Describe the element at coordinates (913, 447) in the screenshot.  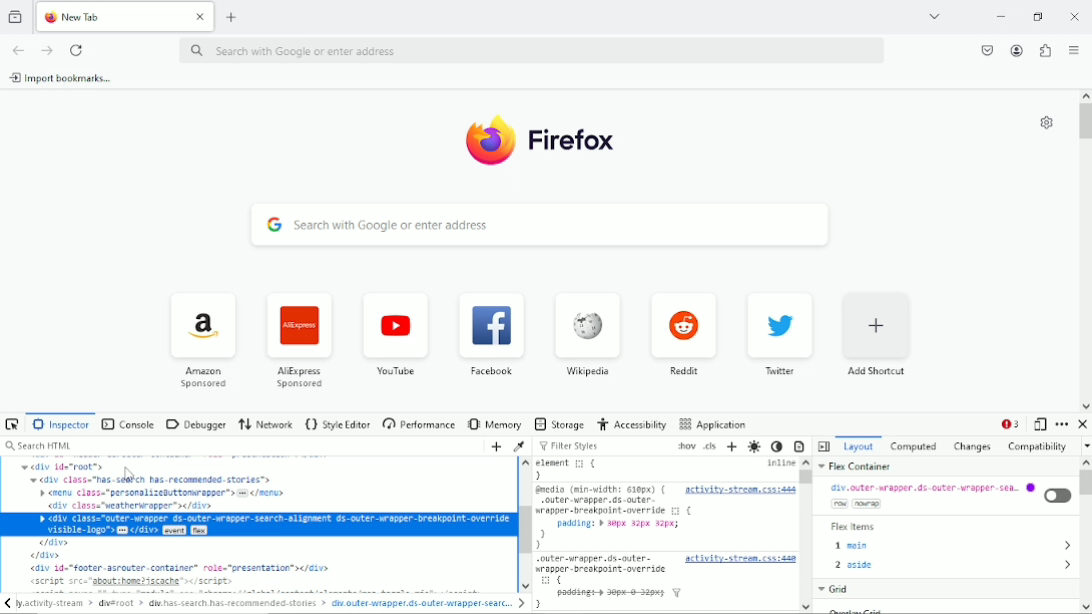
I see `Completed` at that location.